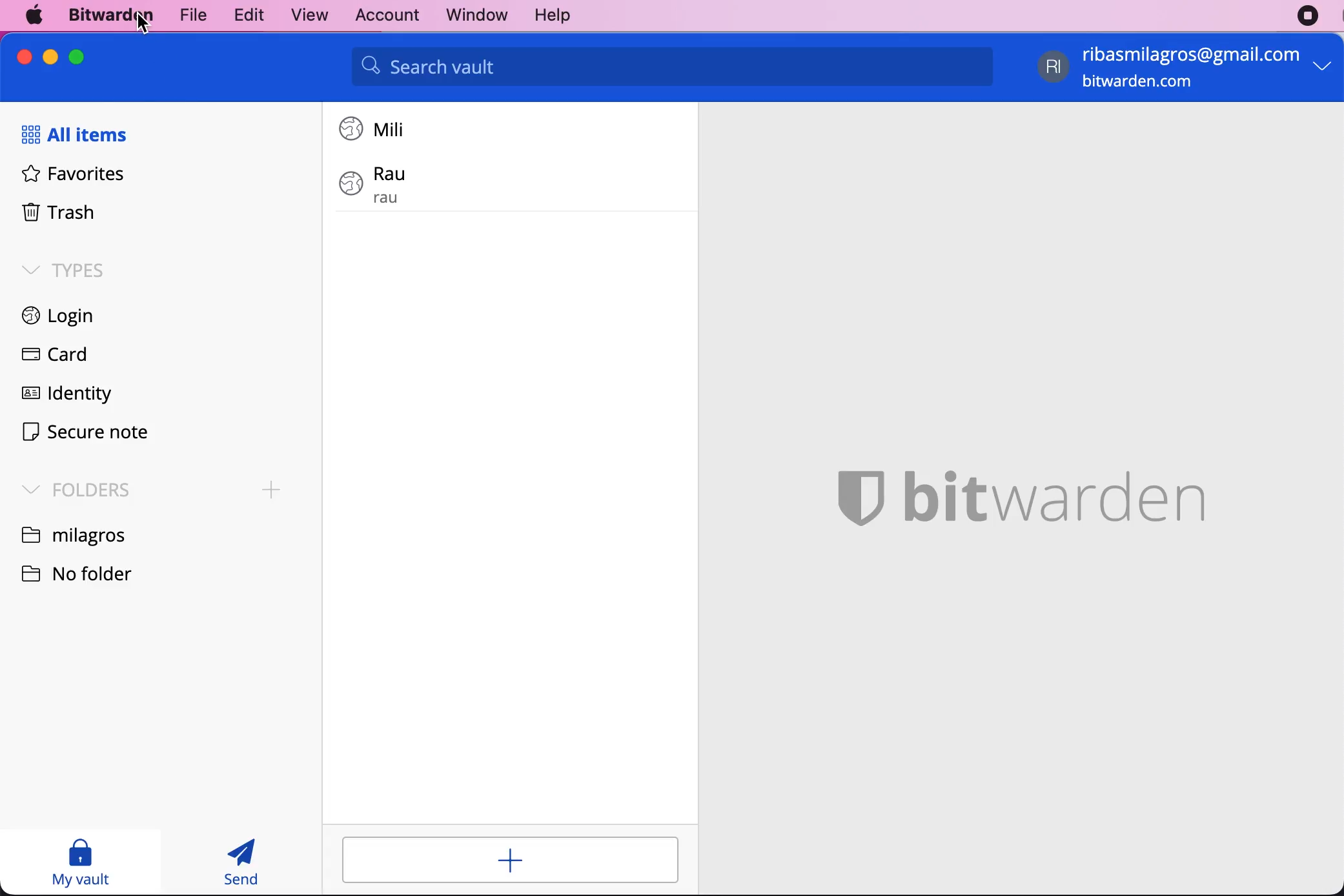 This screenshot has width=1344, height=896. What do you see at coordinates (429, 184) in the screenshot?
I see `login 2` at bounding box center [429, 184].